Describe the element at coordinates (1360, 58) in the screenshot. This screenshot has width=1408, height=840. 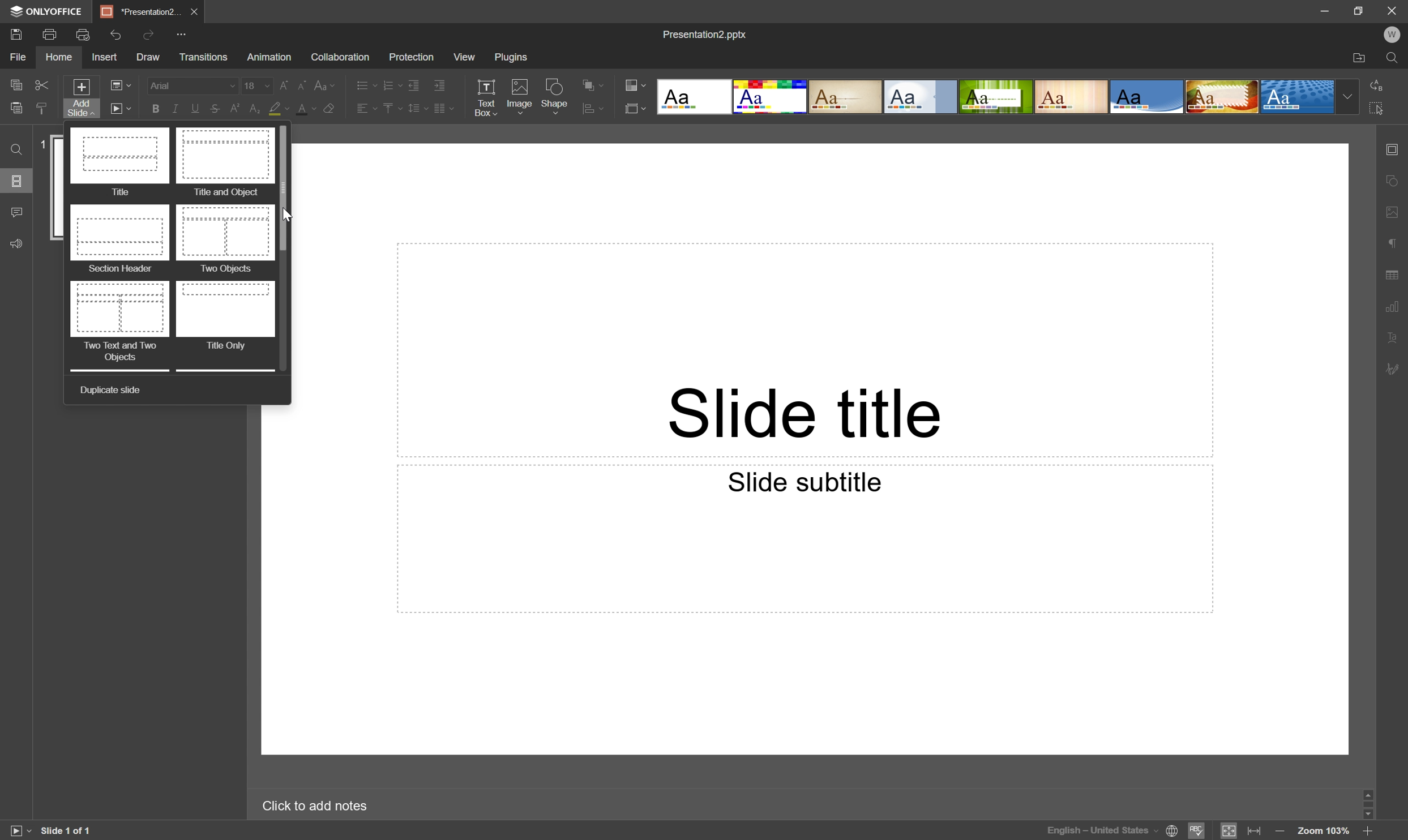
I see `Open file location` at that location.